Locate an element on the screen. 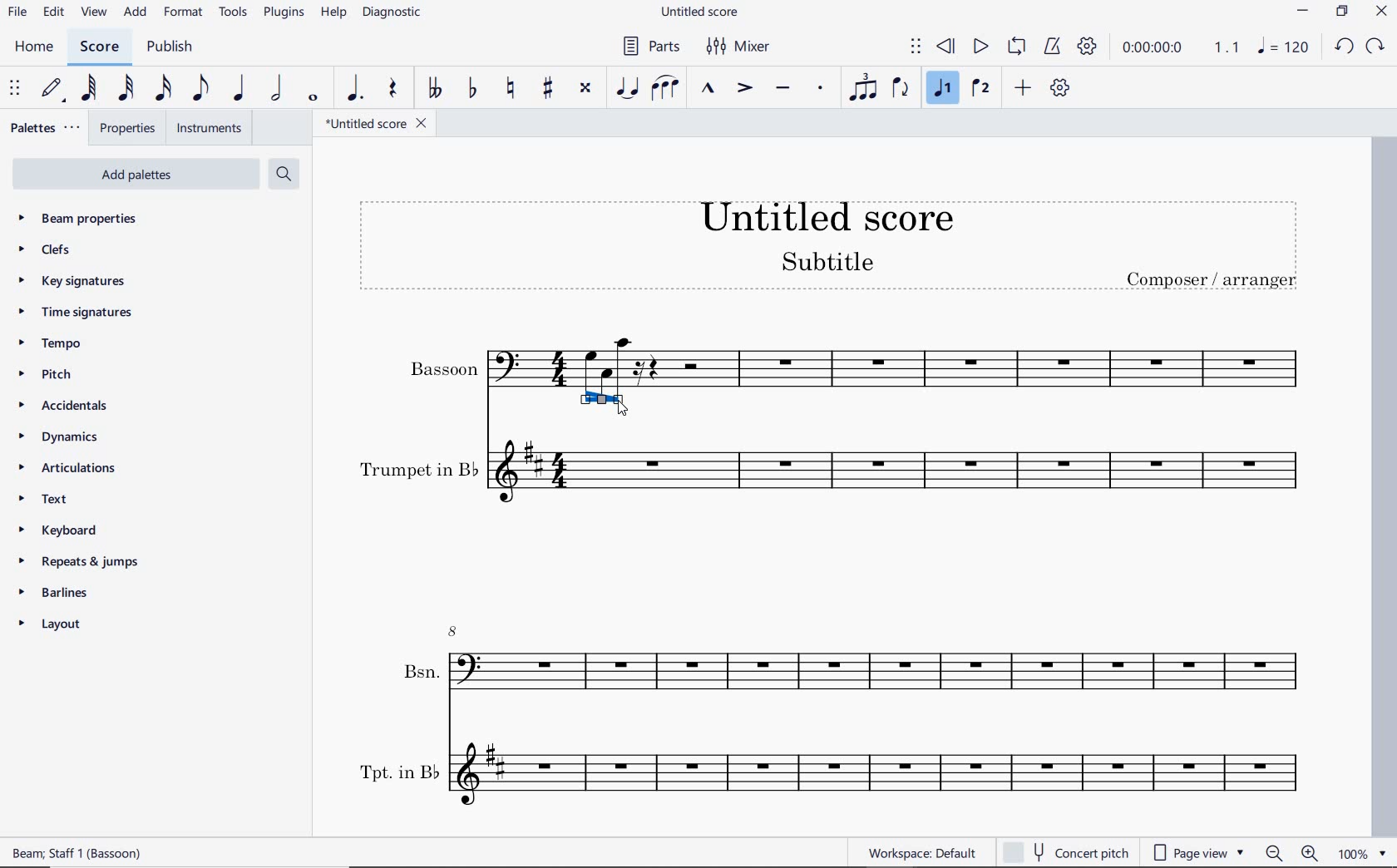  workspace: default is located at coordinates (921, 855).